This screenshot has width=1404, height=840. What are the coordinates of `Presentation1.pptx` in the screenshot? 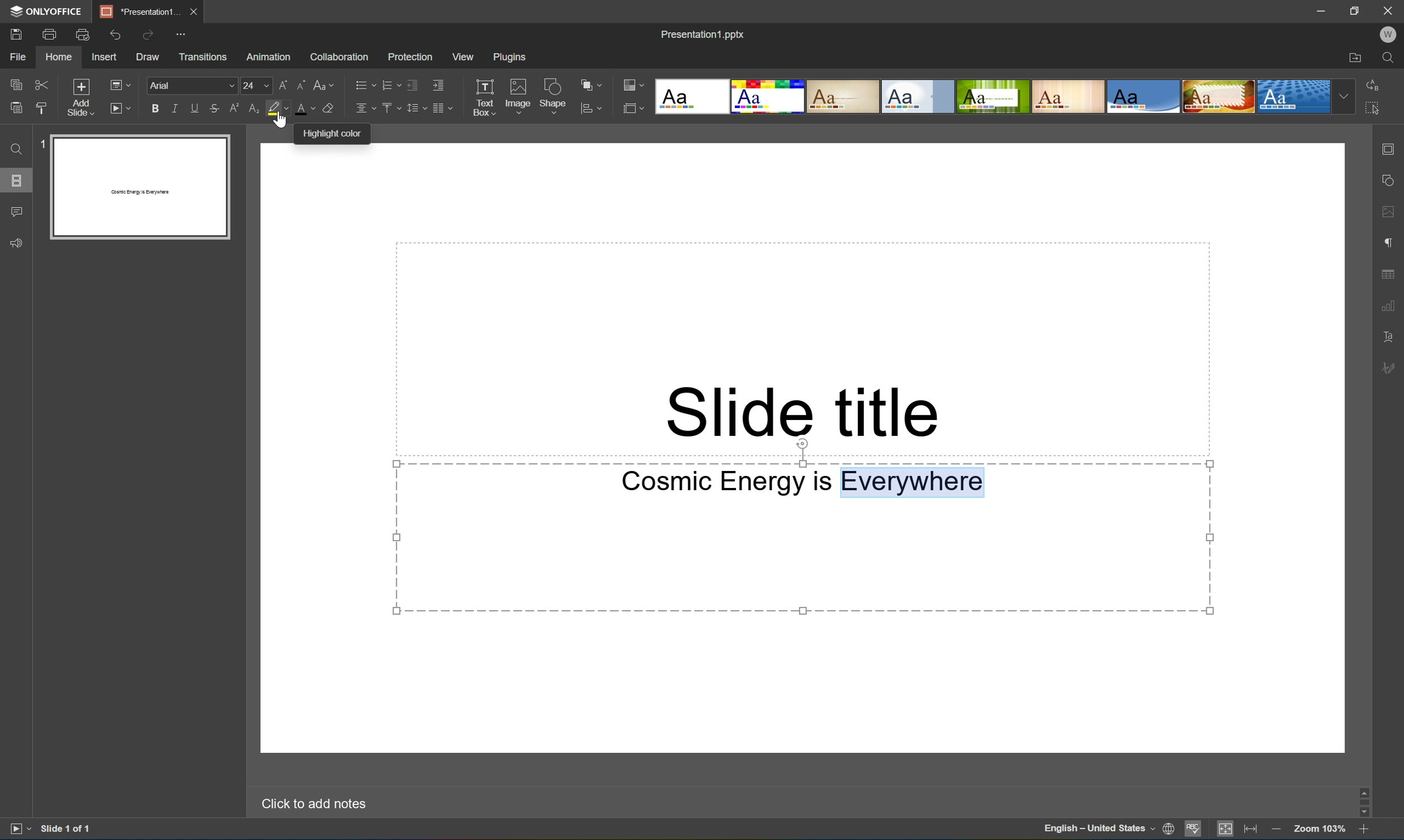 It's located at (705, 33).